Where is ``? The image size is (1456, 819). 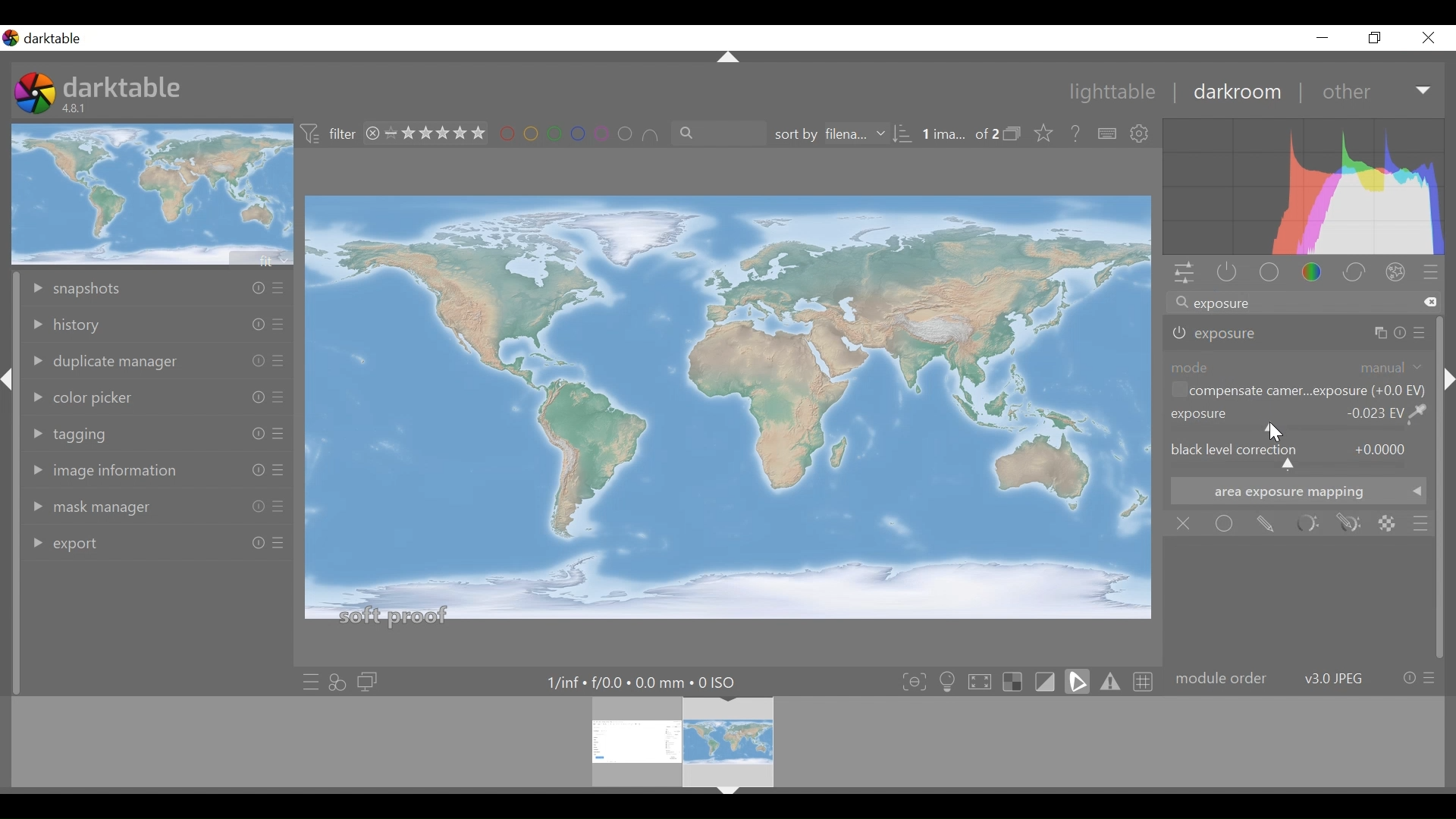  is located at coordinates (276, 507).